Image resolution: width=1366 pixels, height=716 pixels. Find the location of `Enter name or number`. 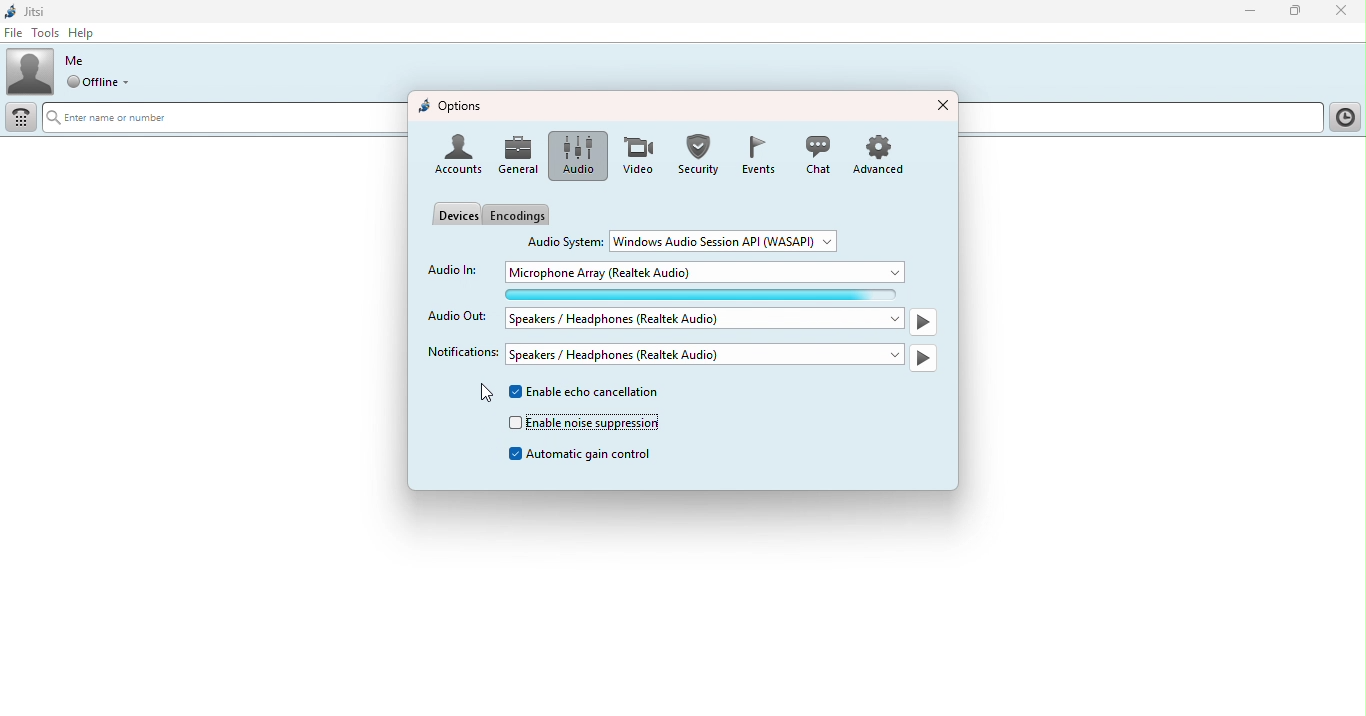

Enter name or number is located at coordinates (220, 119).